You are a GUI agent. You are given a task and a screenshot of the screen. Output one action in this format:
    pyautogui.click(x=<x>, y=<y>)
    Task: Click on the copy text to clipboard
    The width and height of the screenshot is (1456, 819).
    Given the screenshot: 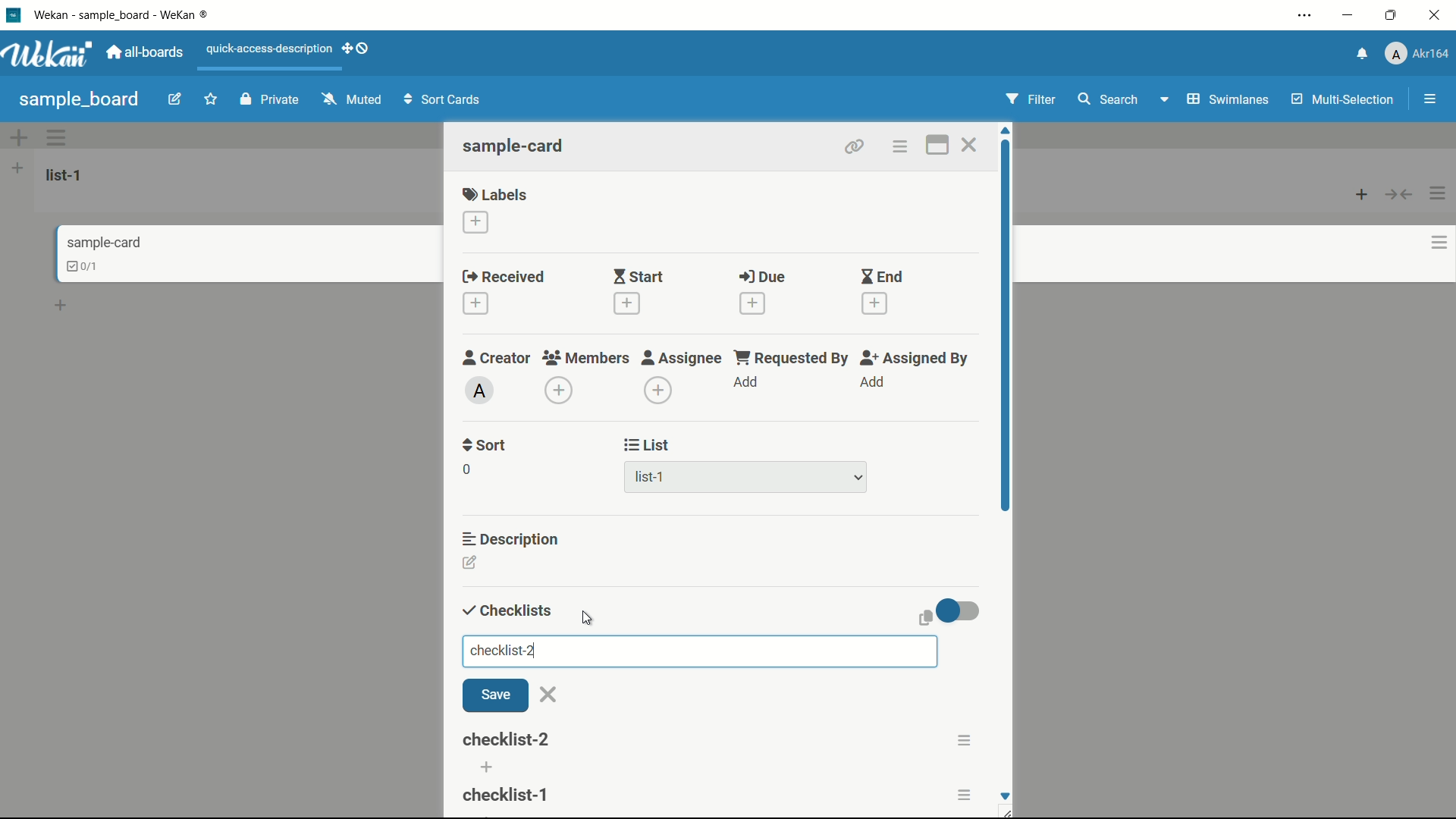 What is the action you would take?
    pyautogui.click(x=923, y=617)
    